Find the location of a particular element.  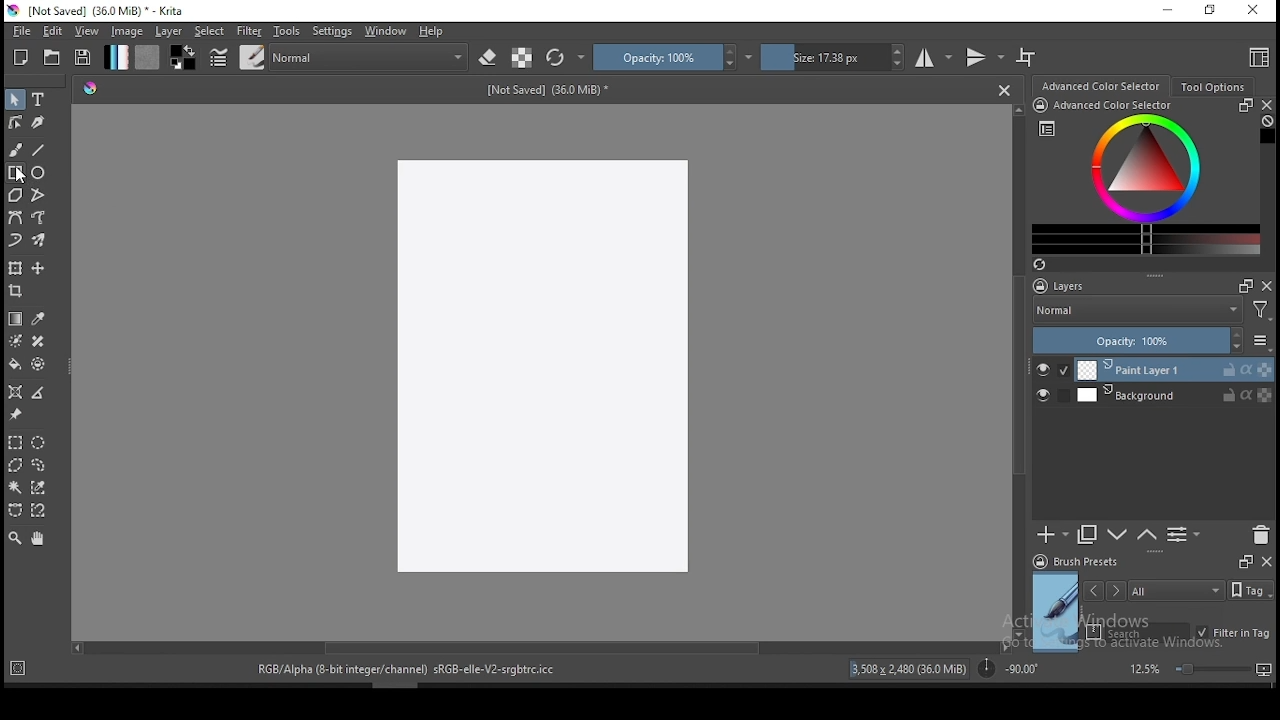

view or change layer properties is located at coordinates (1183, 534).